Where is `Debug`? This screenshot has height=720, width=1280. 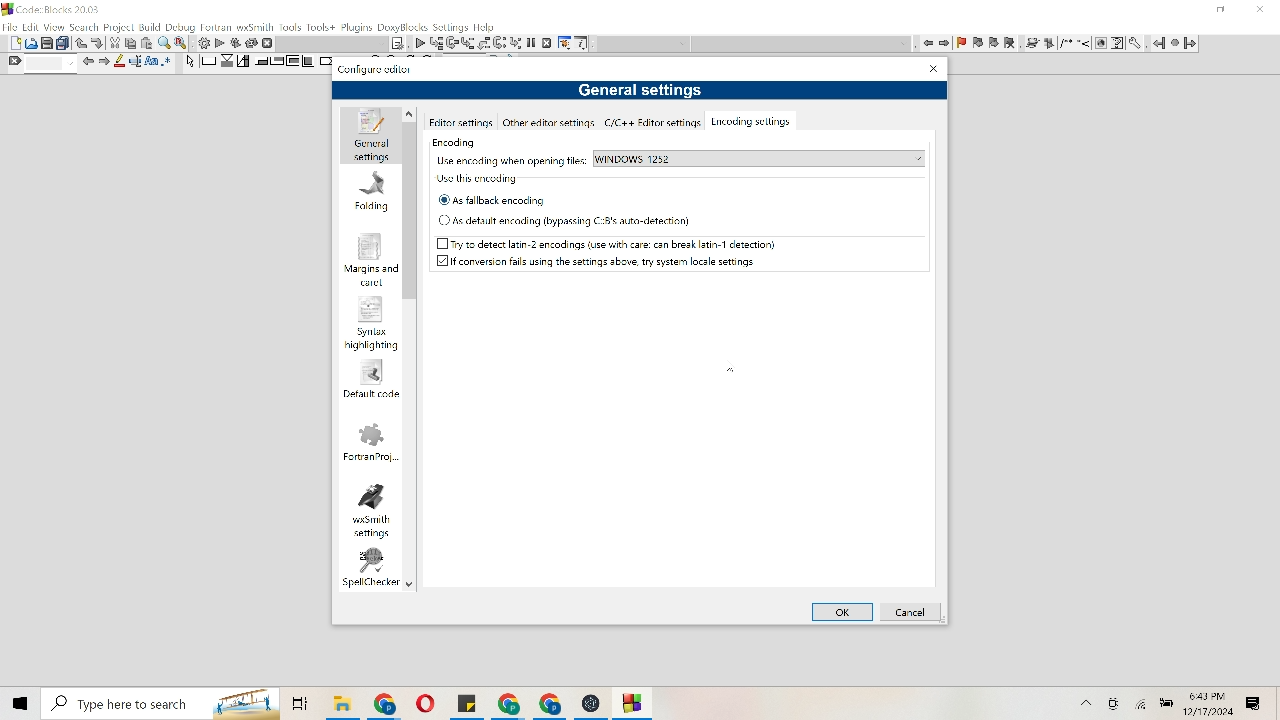
Debug is located at coordinates (180, 27).